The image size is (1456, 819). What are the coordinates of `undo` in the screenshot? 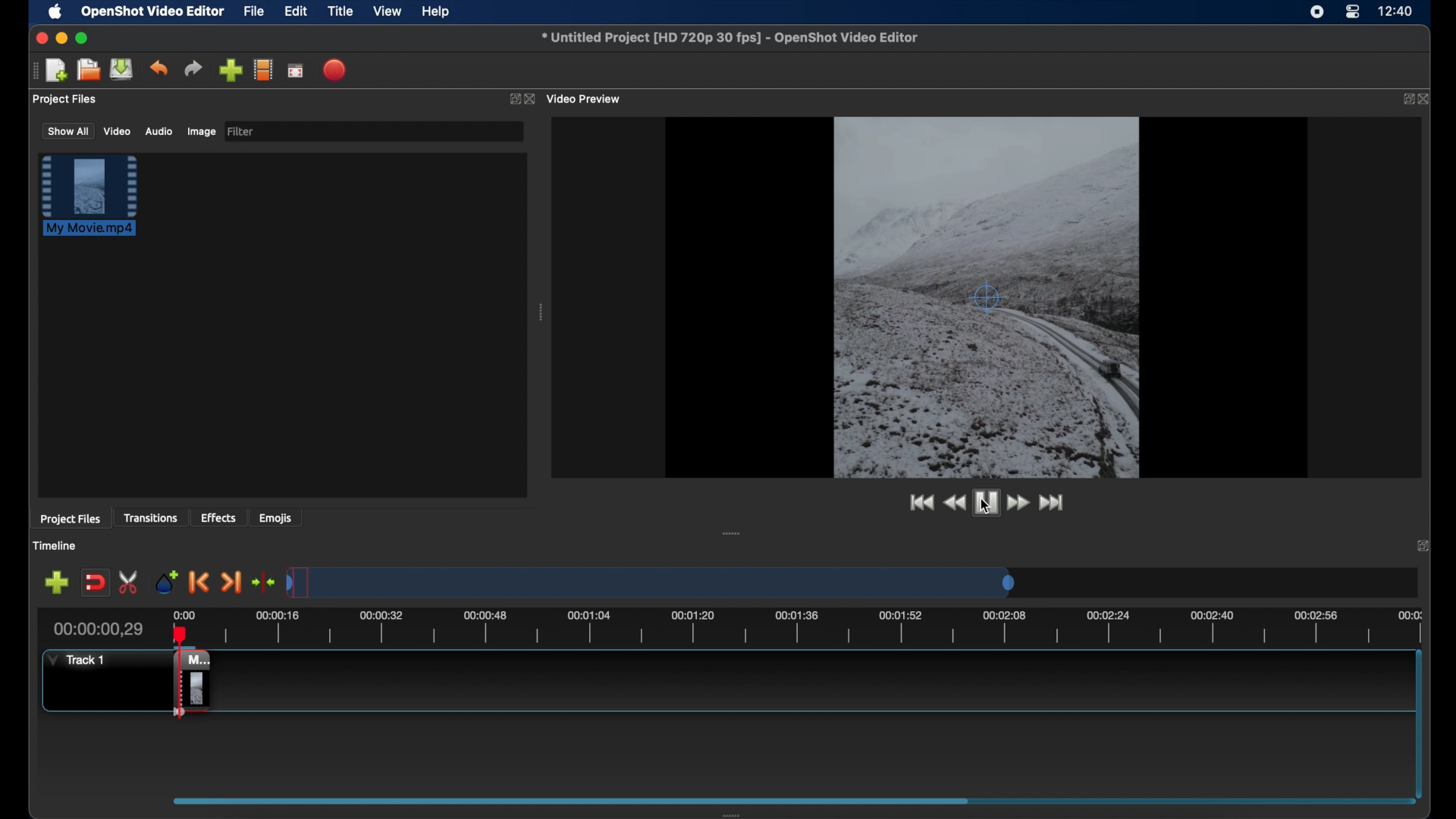 It's located at (158, 67).